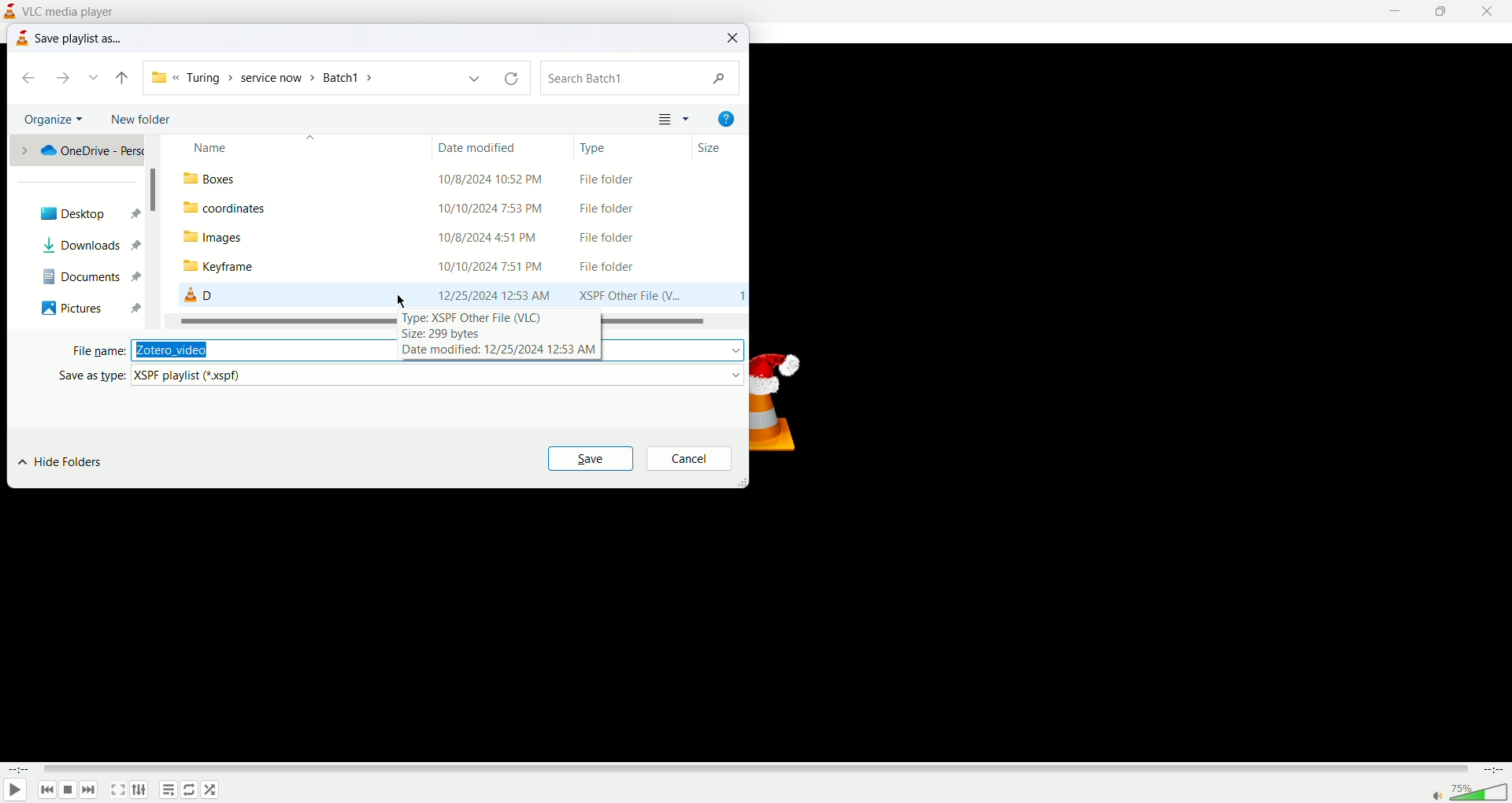 The image size is (1512, 803). I want to click on name, so click(265, 144).